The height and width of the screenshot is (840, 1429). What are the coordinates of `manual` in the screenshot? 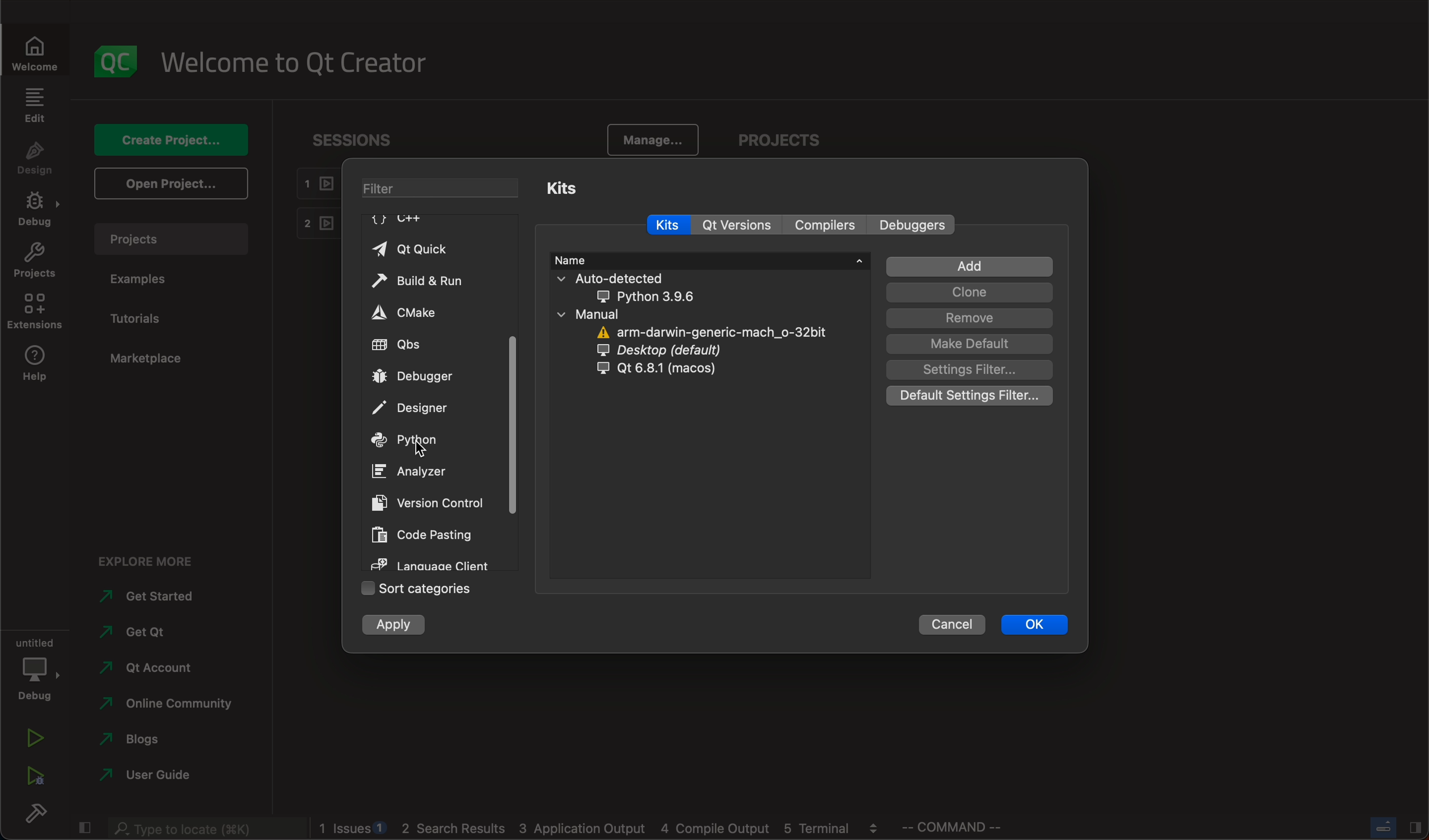 It's located at (618, 315).